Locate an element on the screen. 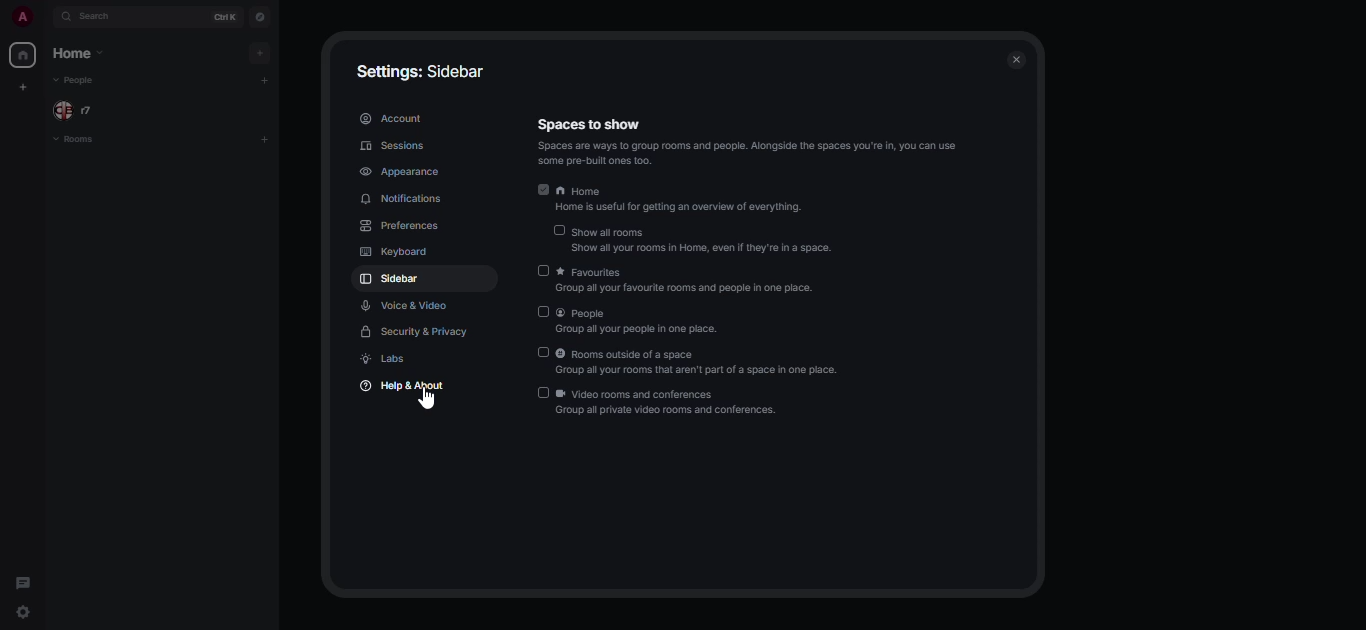 The width and height of the screenshot is (1366, 630). voice & video is located at coordinates (405, 305).